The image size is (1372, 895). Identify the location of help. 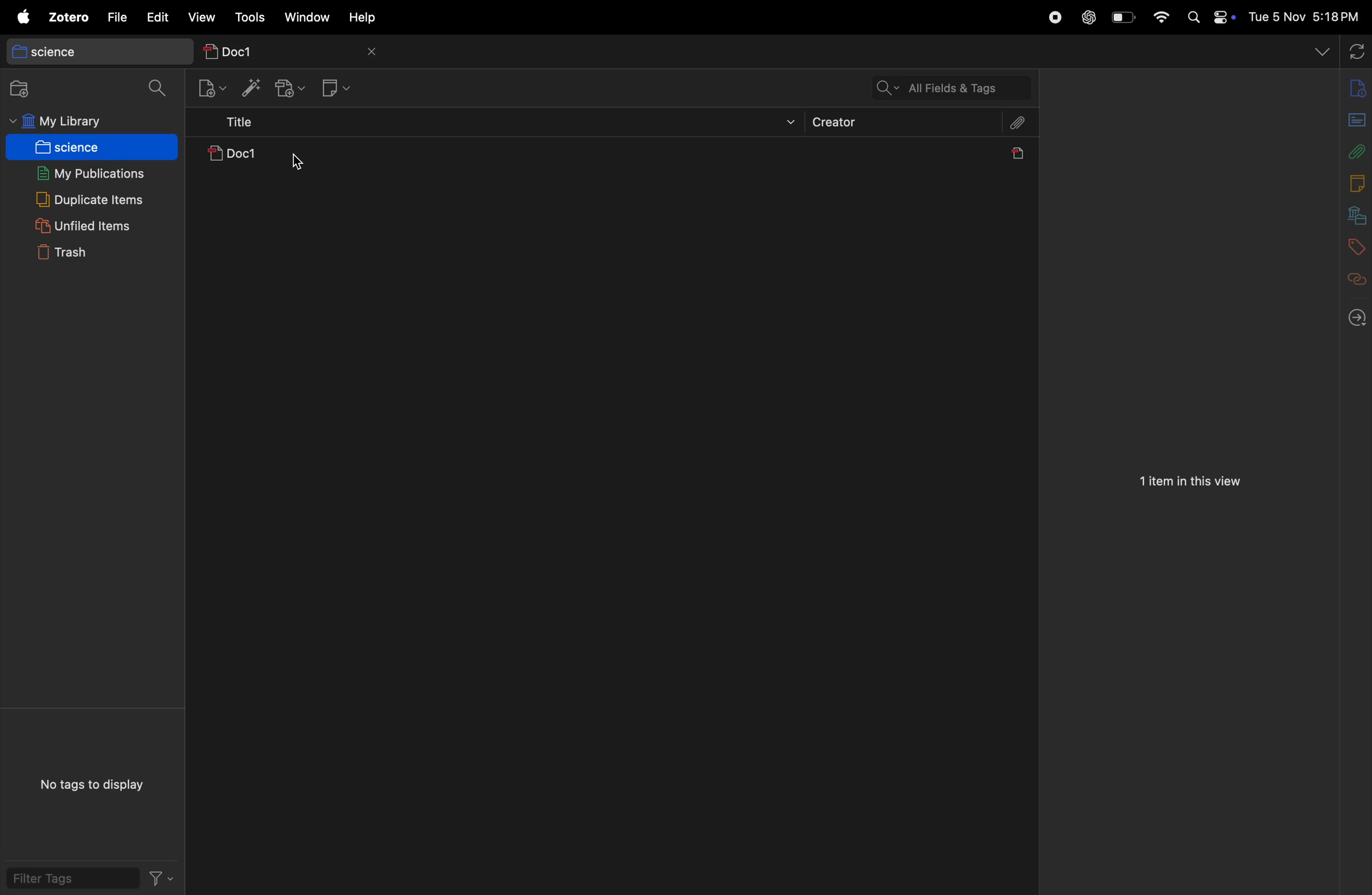
(370, 17).